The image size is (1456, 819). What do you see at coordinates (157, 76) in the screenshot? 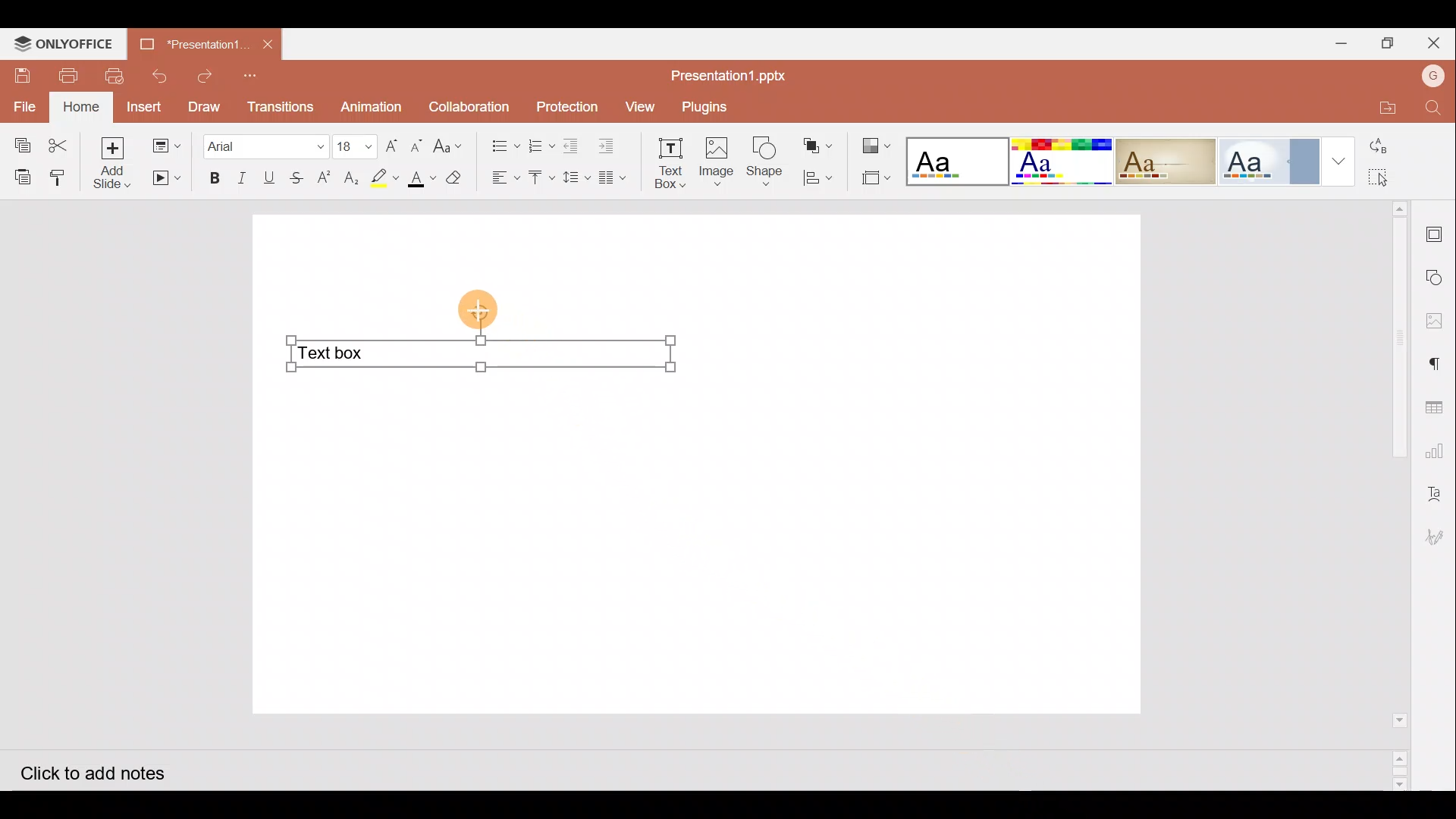
I see `Undo` at bounding box center [157, 76].